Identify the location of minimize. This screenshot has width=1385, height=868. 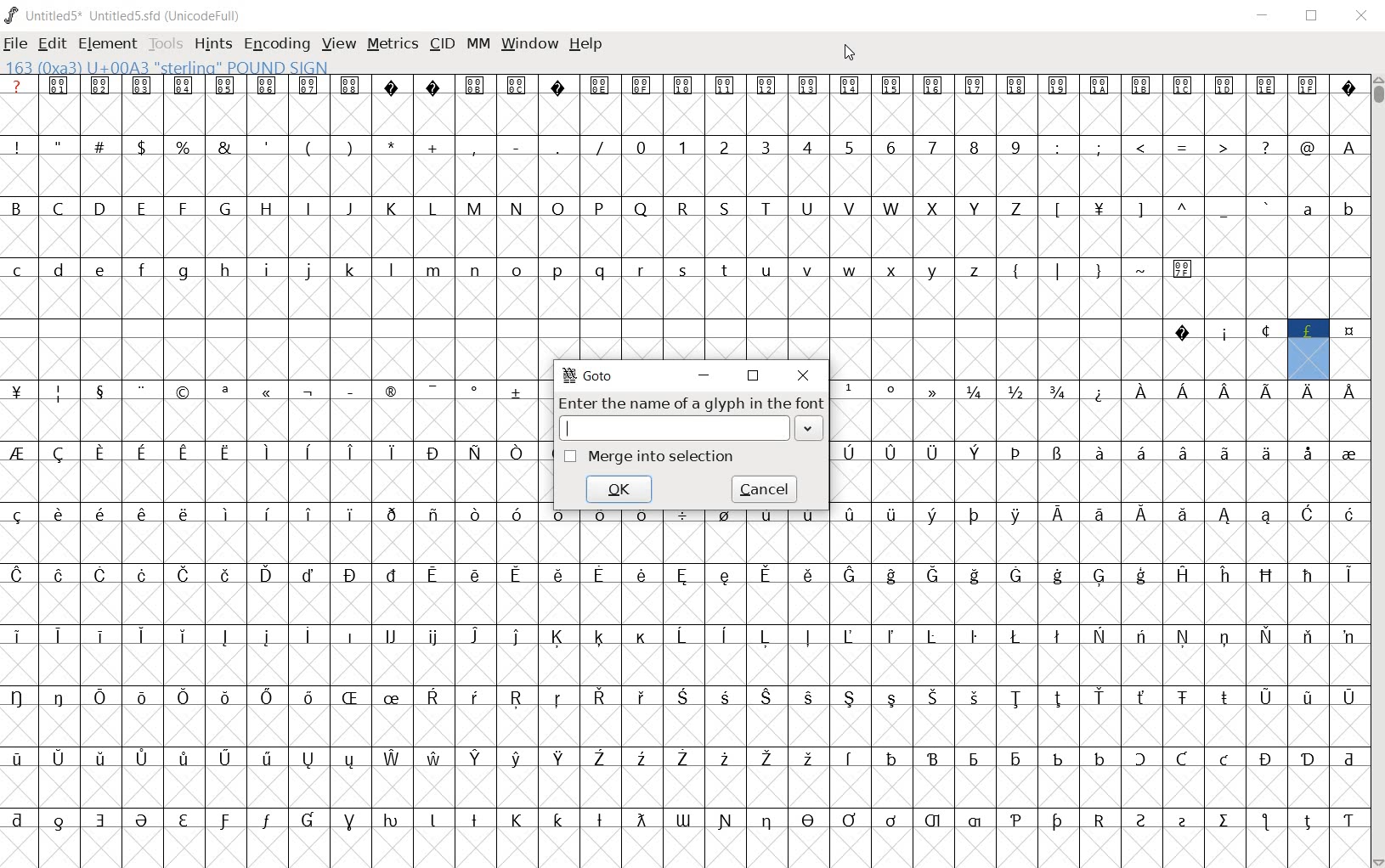
(702, 375).